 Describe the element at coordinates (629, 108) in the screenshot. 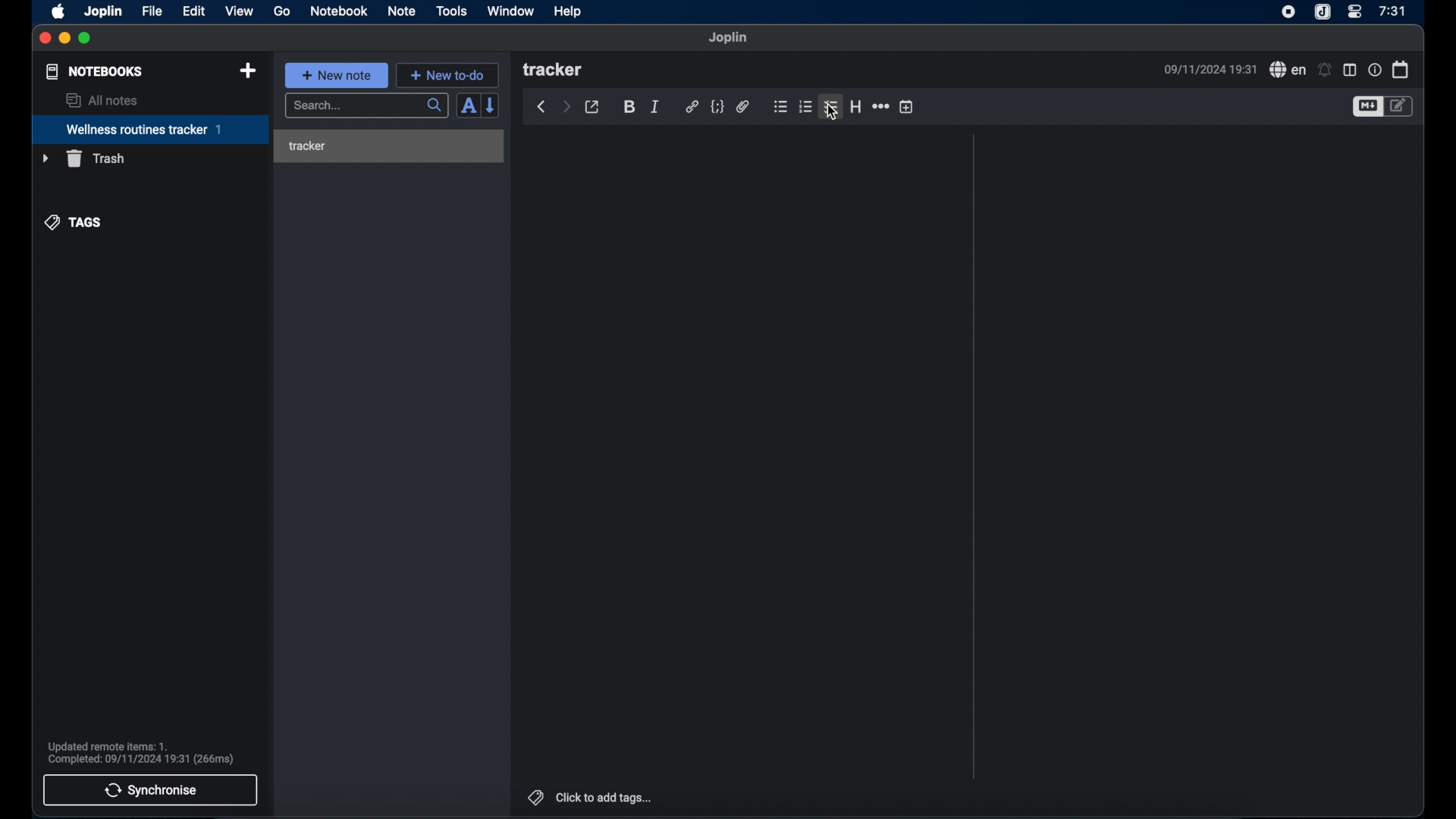

I see `bold` at that location.